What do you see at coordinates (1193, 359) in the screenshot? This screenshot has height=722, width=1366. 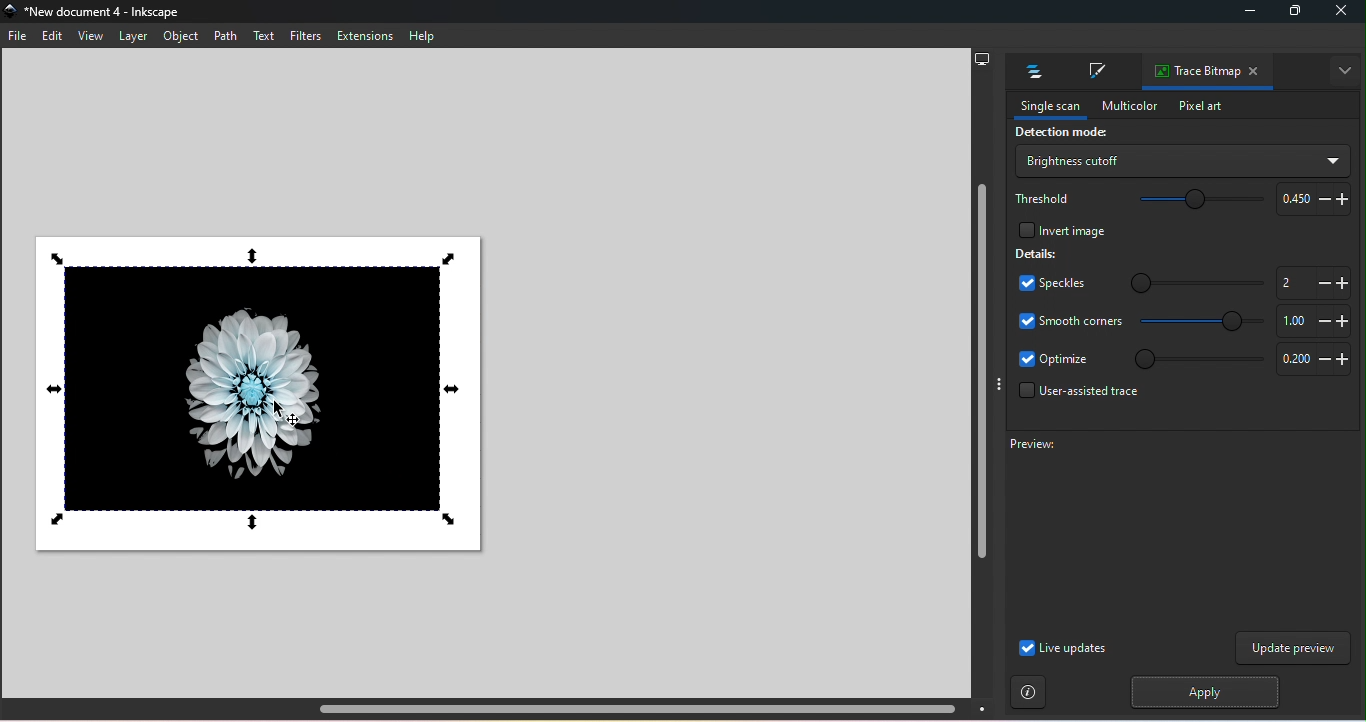 I see `Optimize slide bar` at bounding box center [1193, 359].